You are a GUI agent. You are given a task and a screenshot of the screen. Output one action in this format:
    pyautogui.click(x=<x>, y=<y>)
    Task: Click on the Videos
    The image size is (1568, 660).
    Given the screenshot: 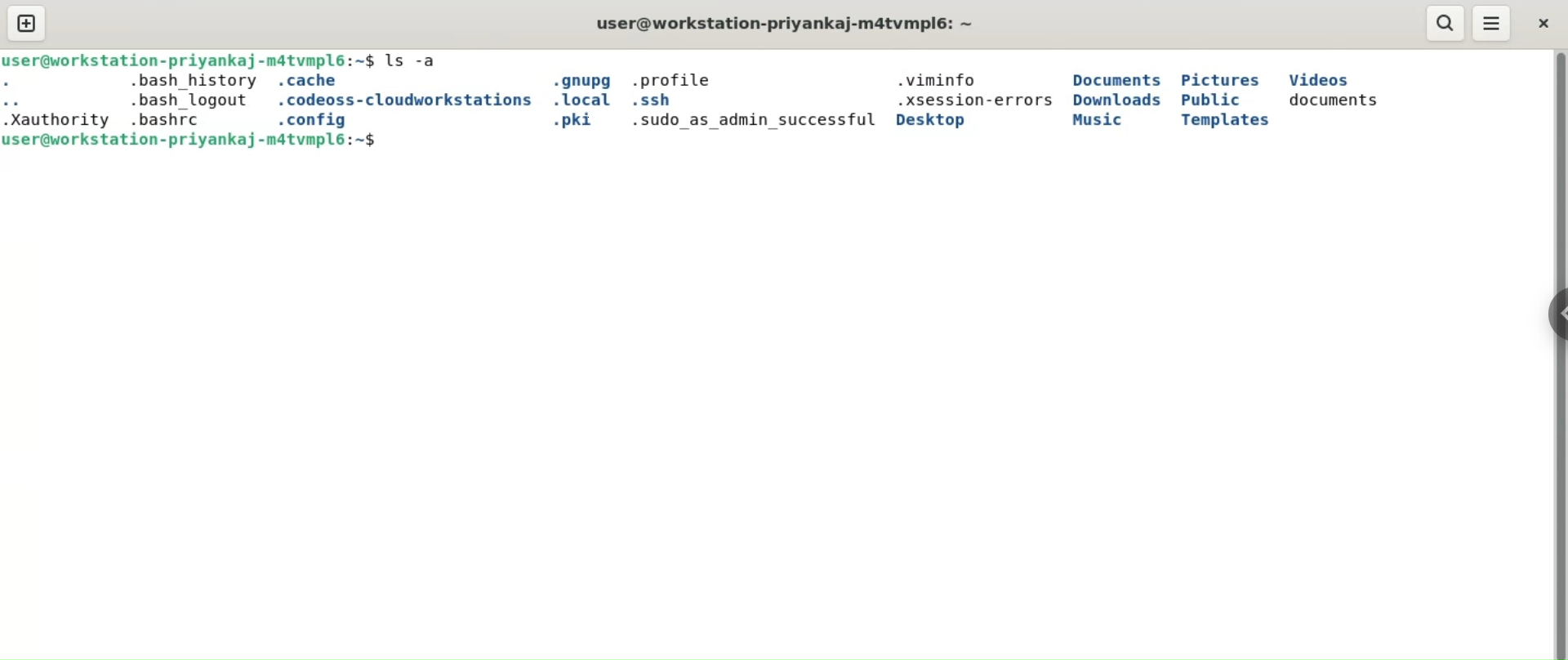 What is the action you would take?
    pyautogui.click(x=1320, y=80)
    